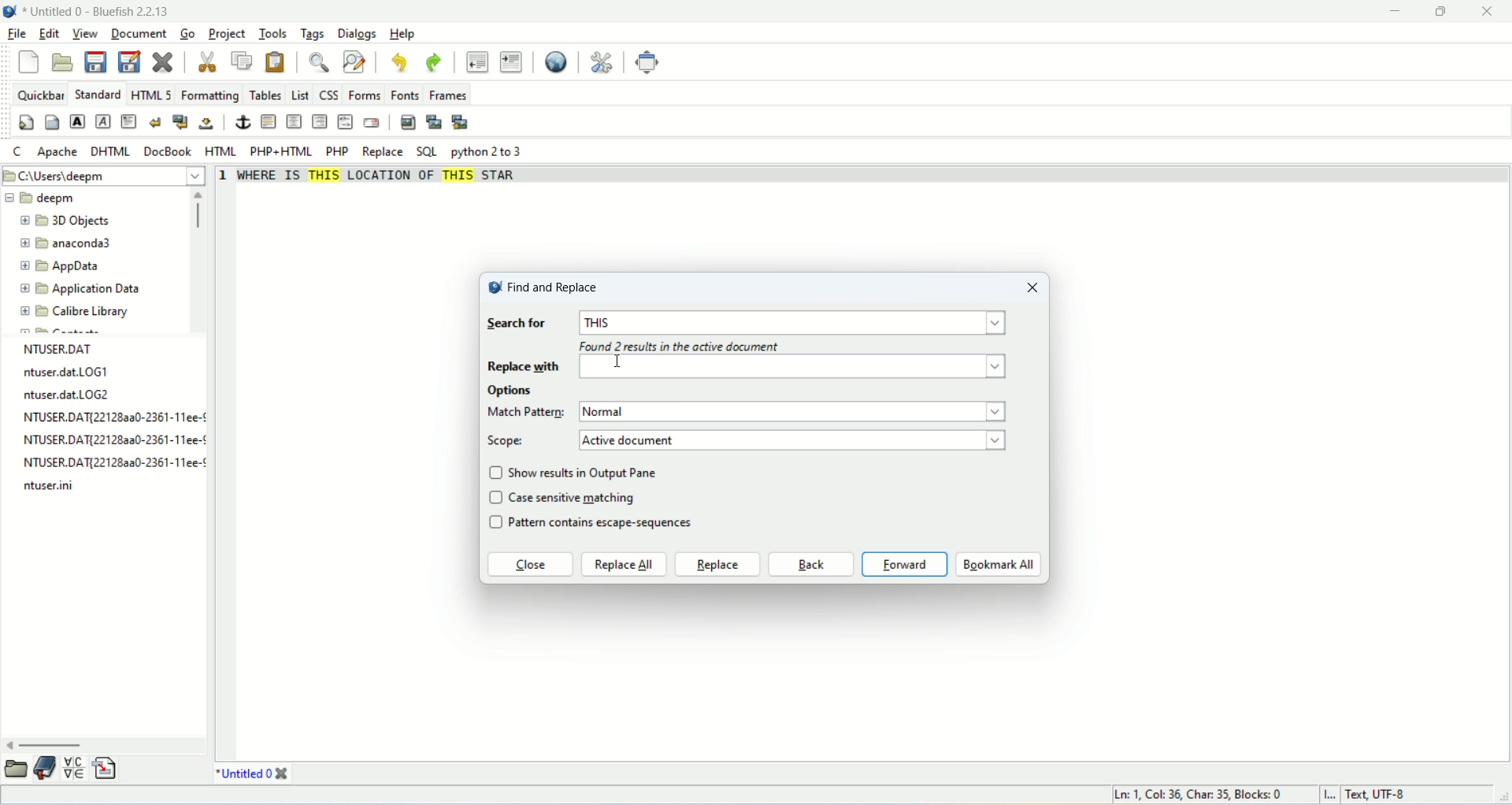 This screenshot has height=805, width=1512. I want to click on file name, so click(113, 465).